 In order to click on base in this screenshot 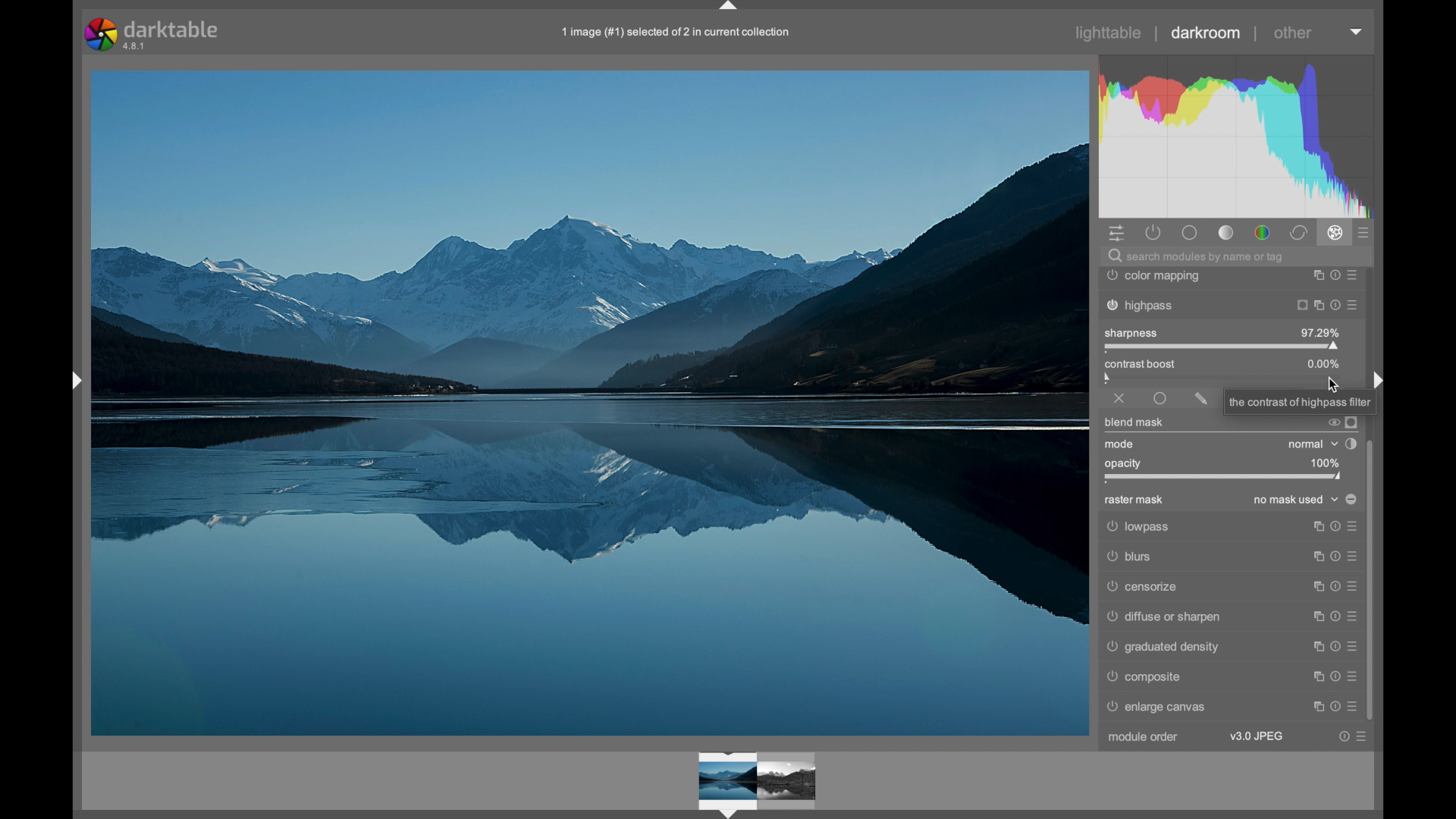, I will do `click(1191, 234)`.